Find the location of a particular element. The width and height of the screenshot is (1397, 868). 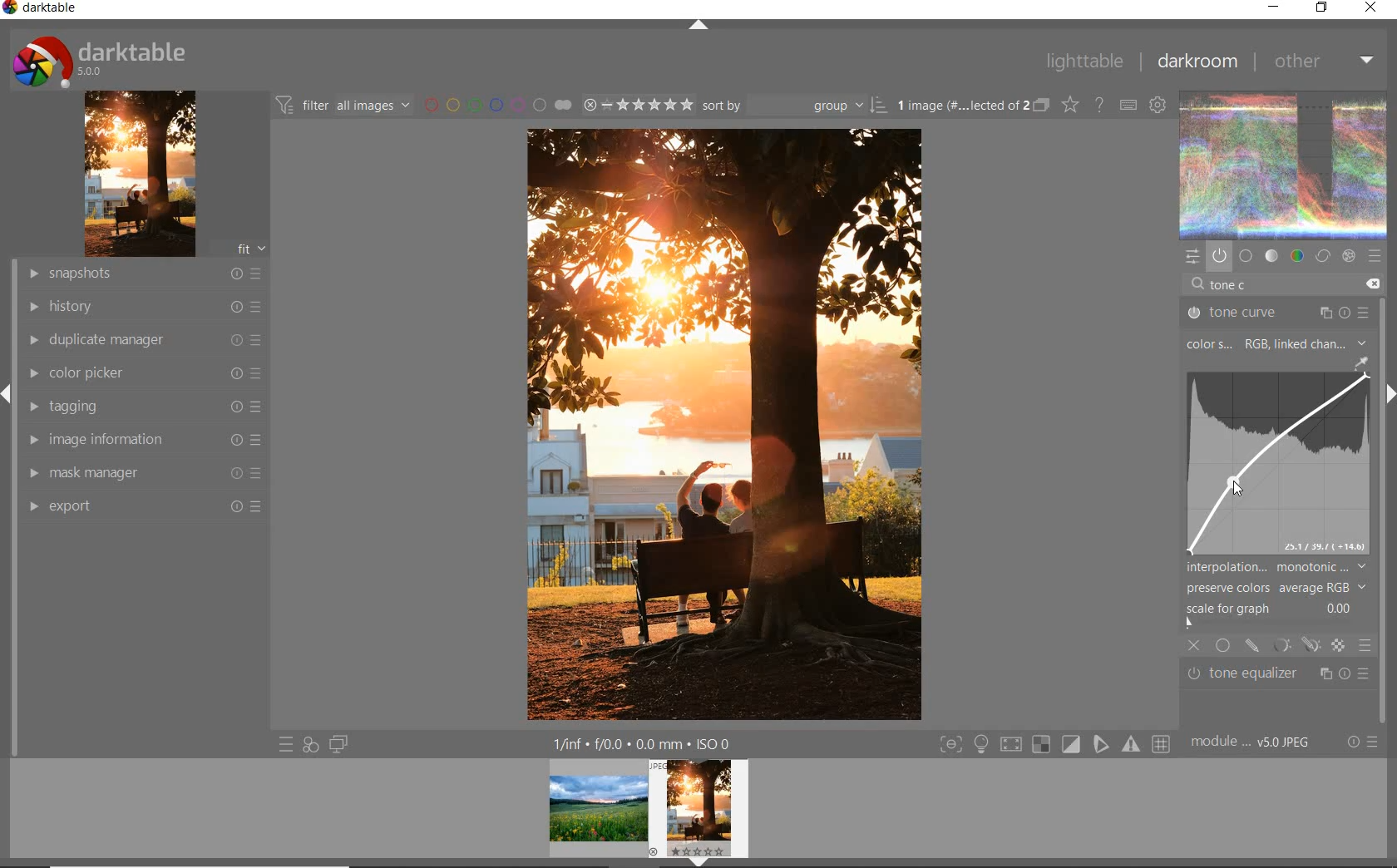

mask options is located at coordinates (1292, 645).